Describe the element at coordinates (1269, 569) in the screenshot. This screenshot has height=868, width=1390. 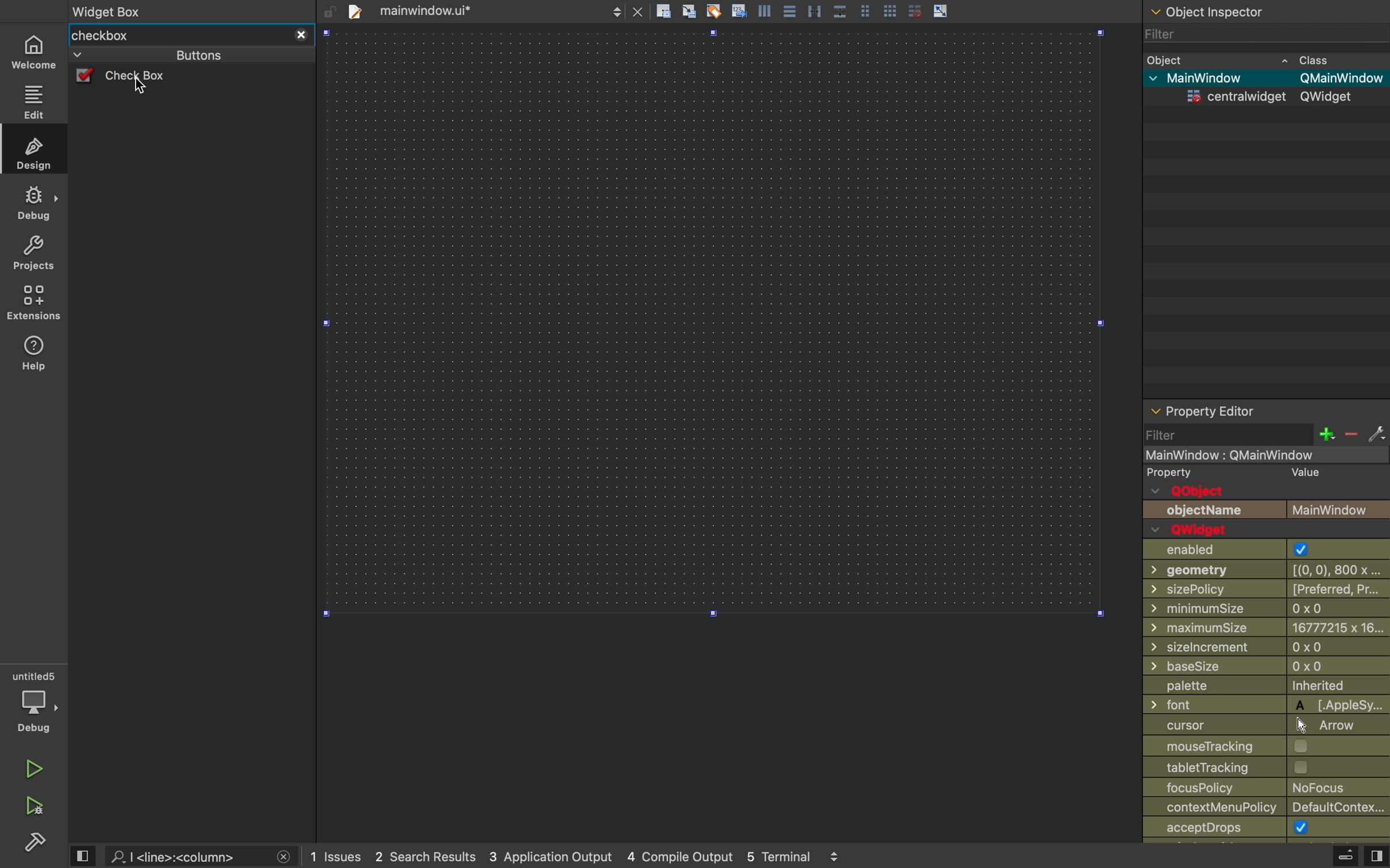
I see `geometry` at that location.